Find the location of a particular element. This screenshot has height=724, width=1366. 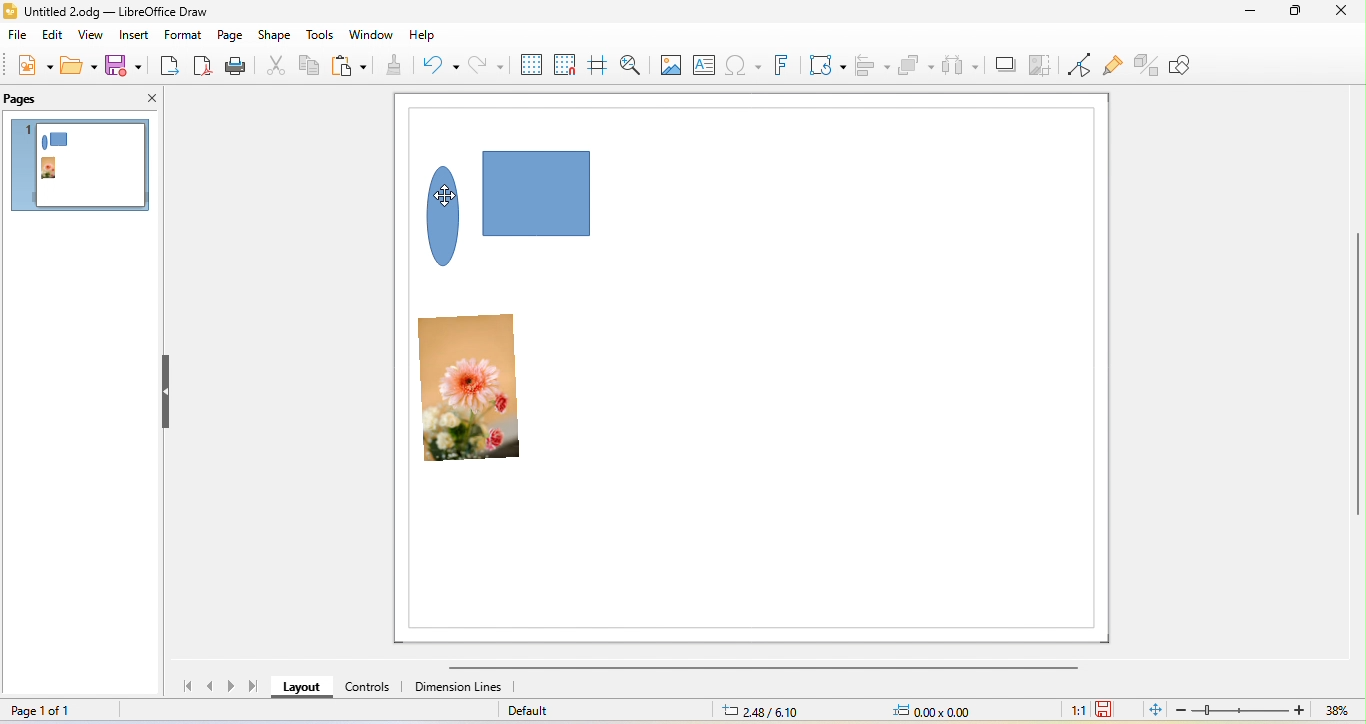

shape is located at coordinates (277, 35).